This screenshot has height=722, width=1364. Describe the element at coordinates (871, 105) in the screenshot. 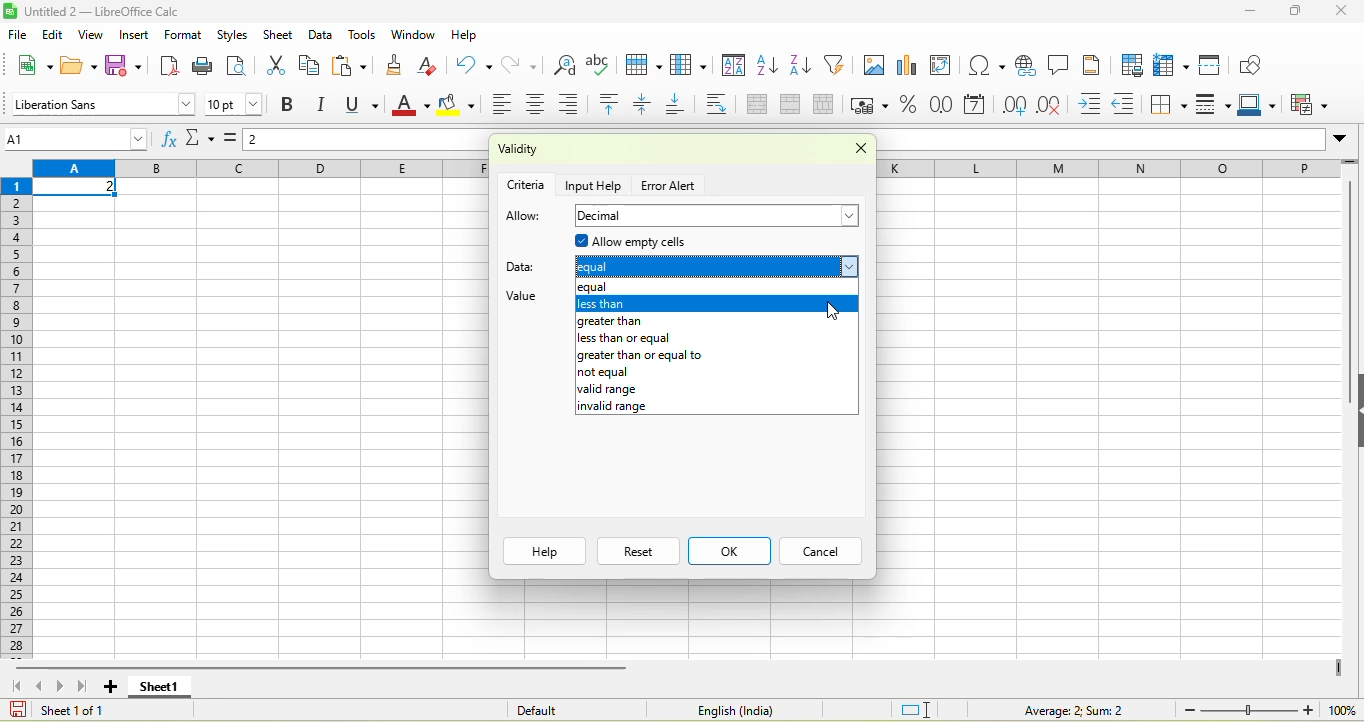

I see `format as currency` at that location.